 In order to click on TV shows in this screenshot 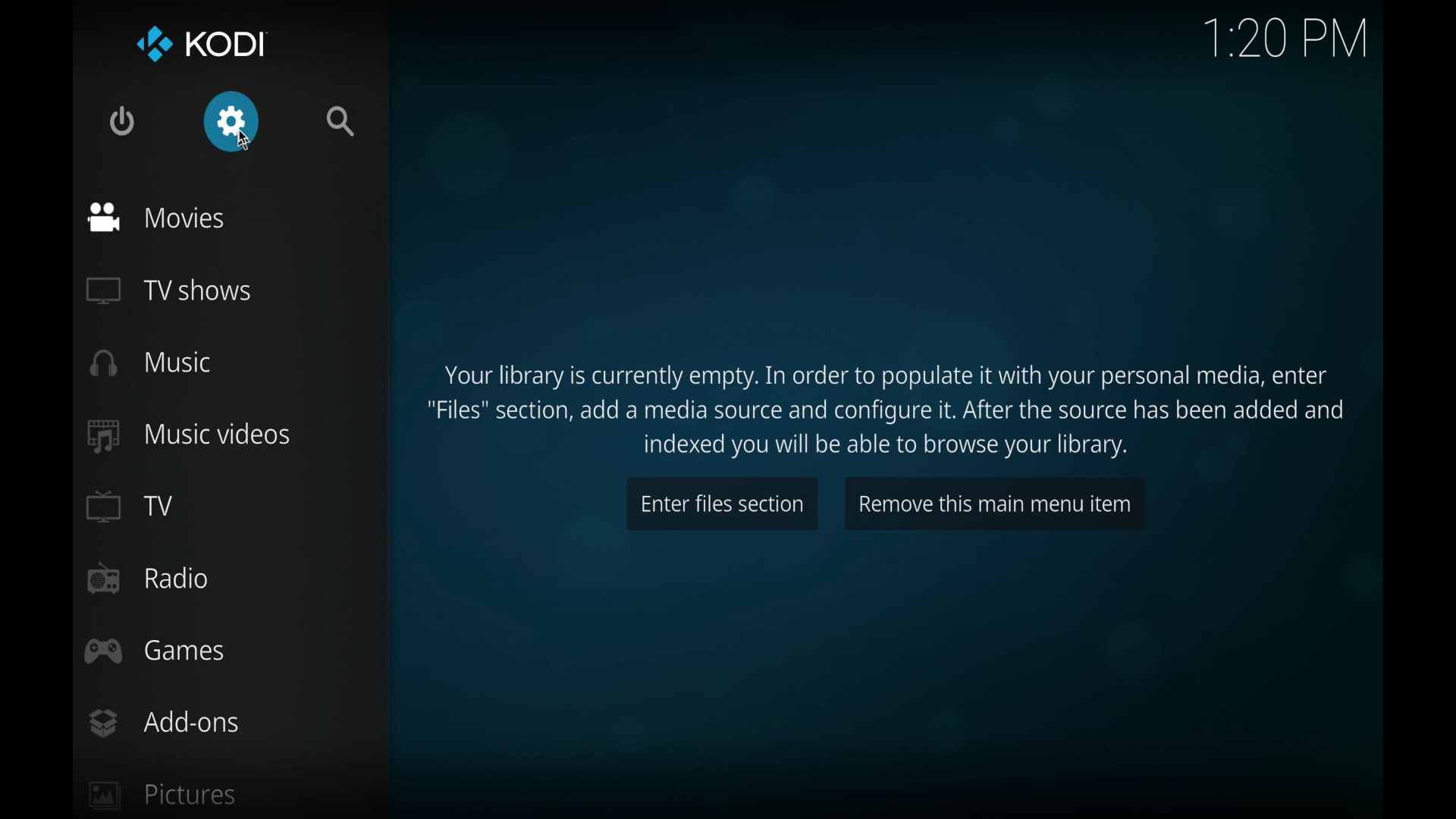, I will do `click(167, 291)`.